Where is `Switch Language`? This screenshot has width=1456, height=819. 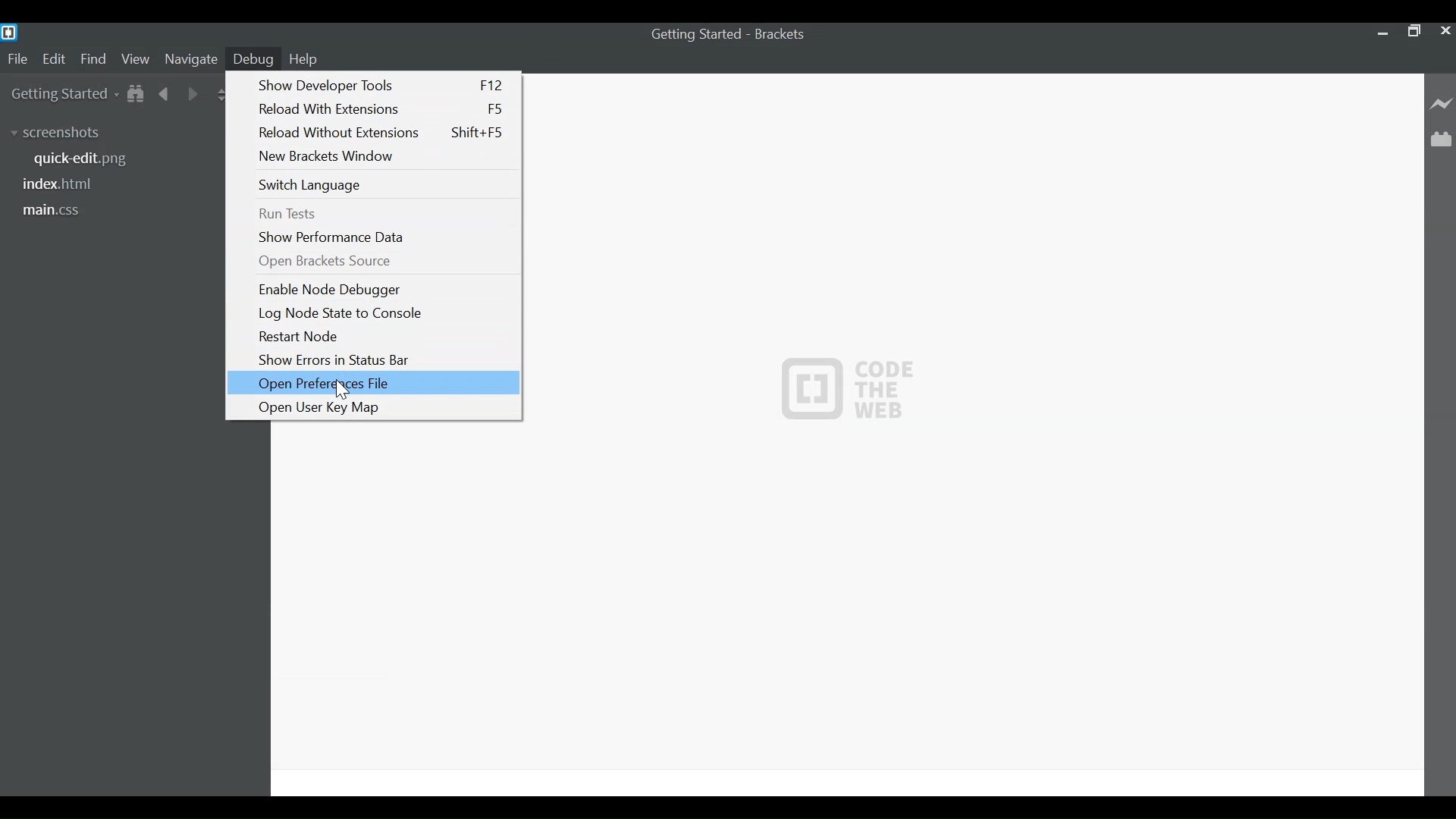 Switch Language is located at coordinates (384, 186).